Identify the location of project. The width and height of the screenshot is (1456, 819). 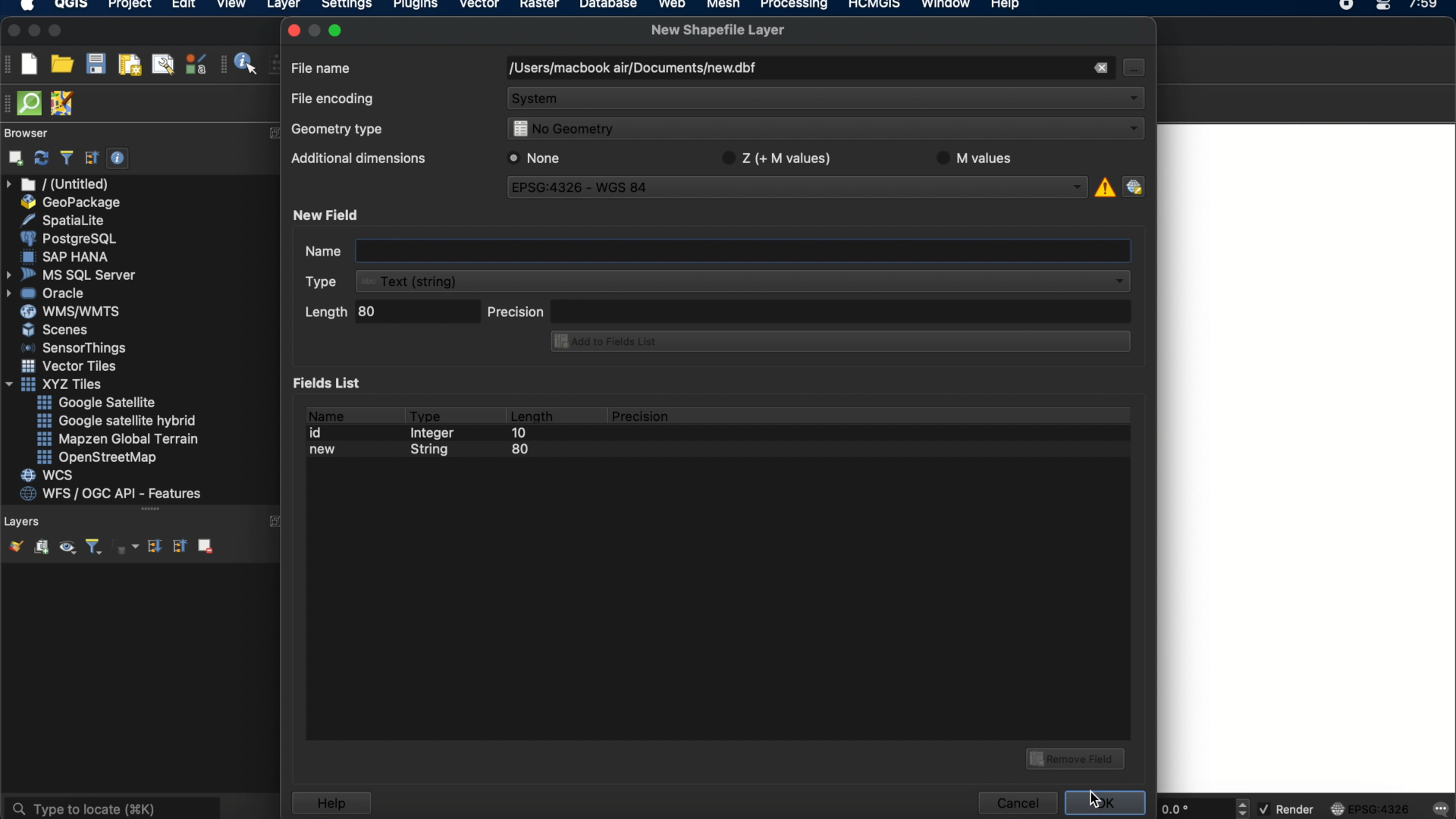
(127, 6).